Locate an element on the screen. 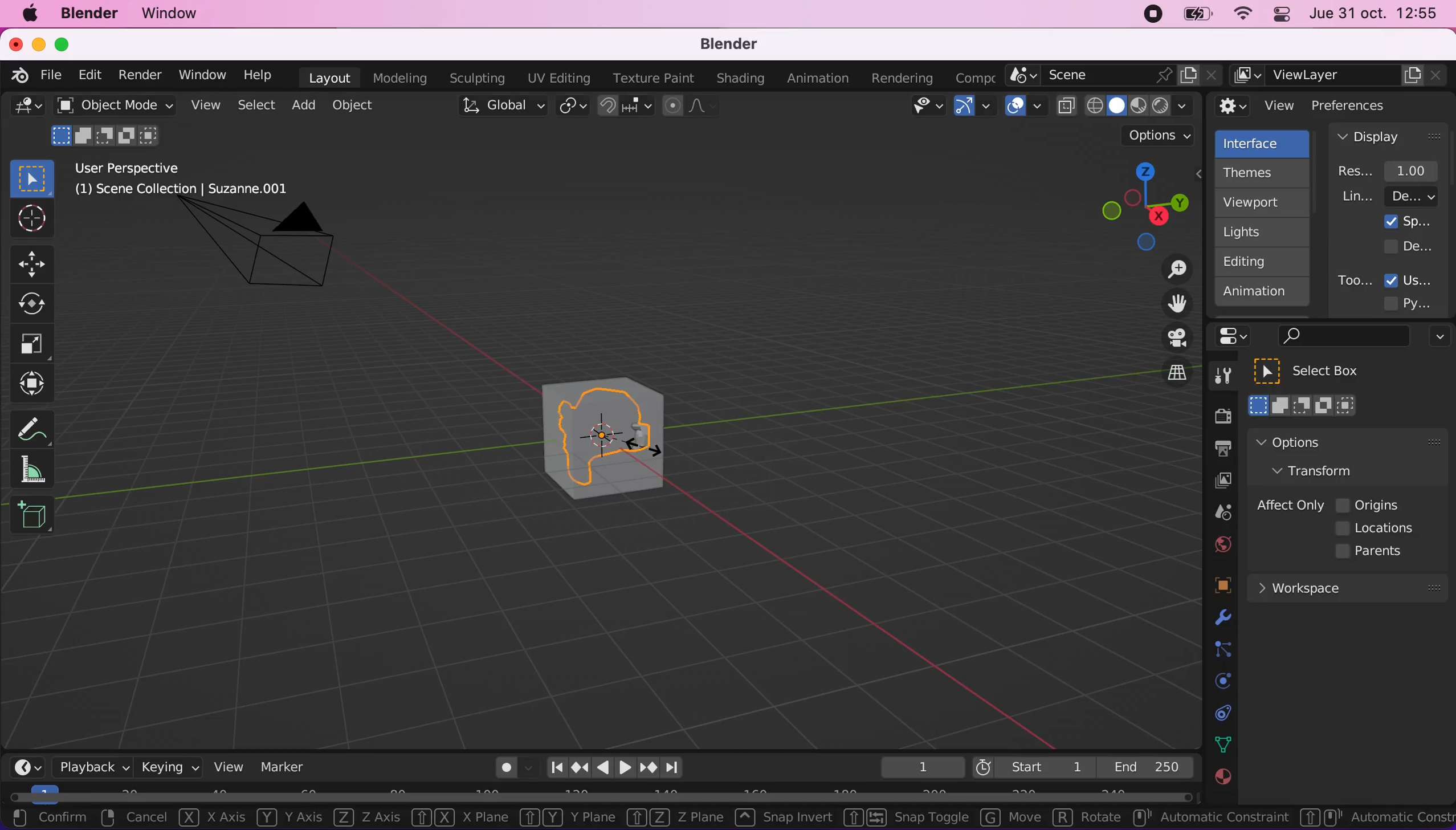 The height and width of the screenshot is (830, 1456). rendering is located at coordinates (903, 79).